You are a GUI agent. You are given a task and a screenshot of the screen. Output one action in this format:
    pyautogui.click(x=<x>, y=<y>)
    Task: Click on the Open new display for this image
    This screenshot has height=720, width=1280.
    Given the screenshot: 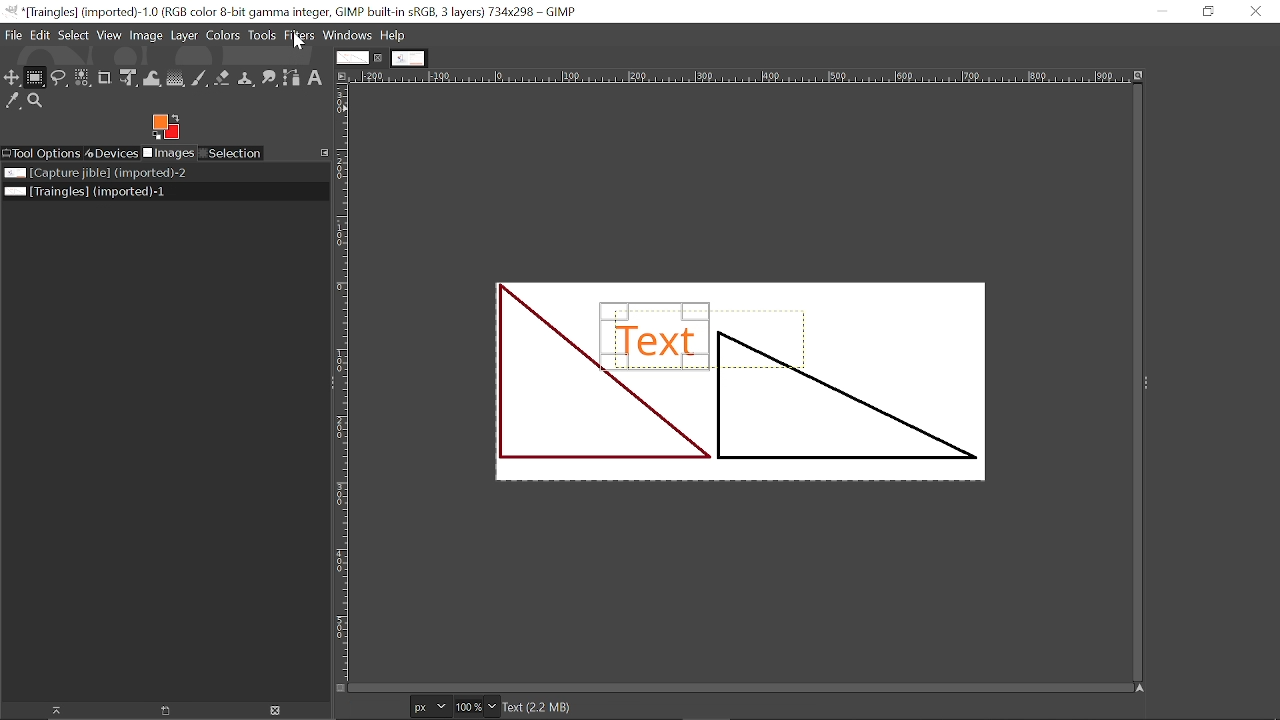 What is the action you would take?
    pyautogui.click(x=165, y=711)
    